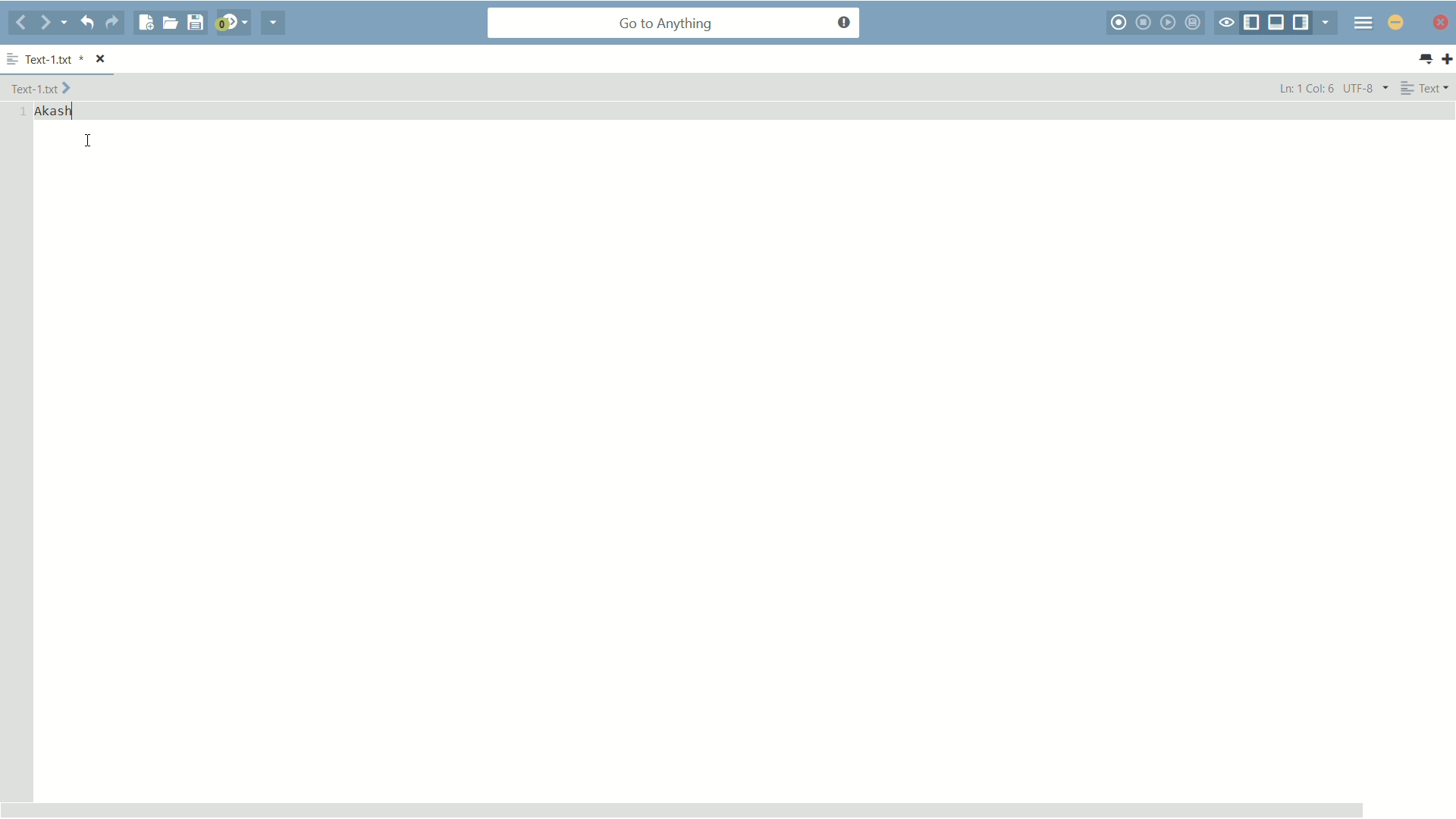 This screenshot has height=819, width=1456. I want to click on record macro, so click(1118, 23).